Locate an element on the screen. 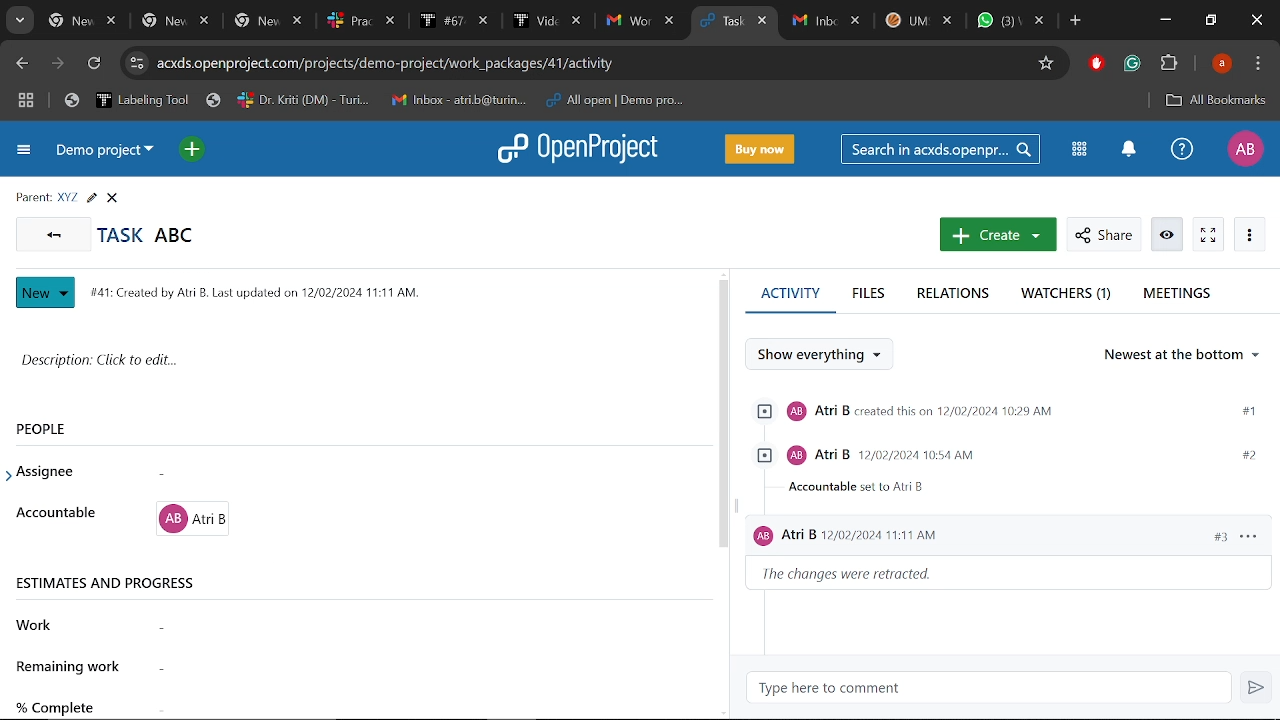 The height and width of the screenshot is (720, 1280). Project info is located at coordinates (251, 292).